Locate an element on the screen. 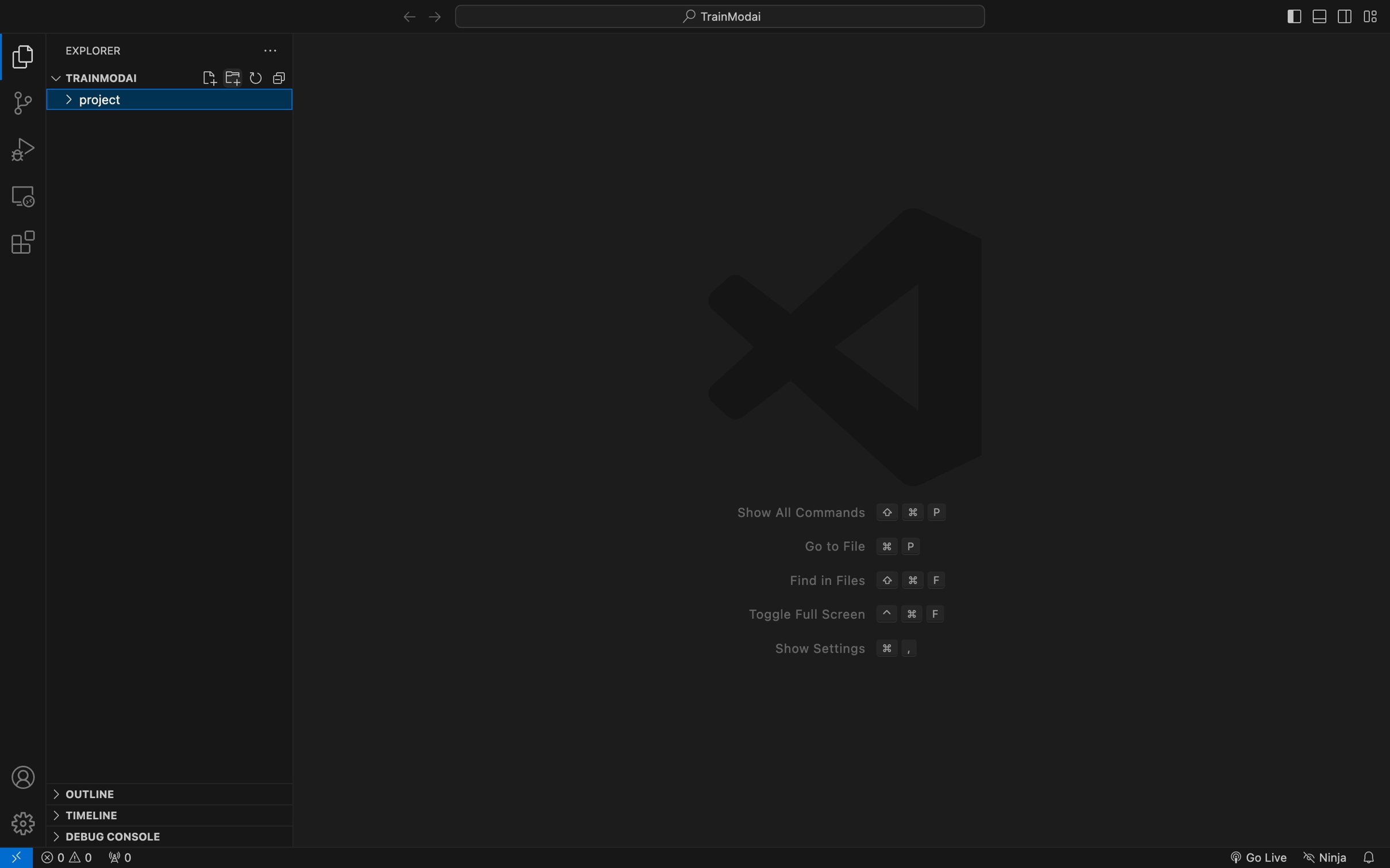 Image resolution: width=1390 pixels, height=868 pixels. file explore is located at coordinates (23, 57).